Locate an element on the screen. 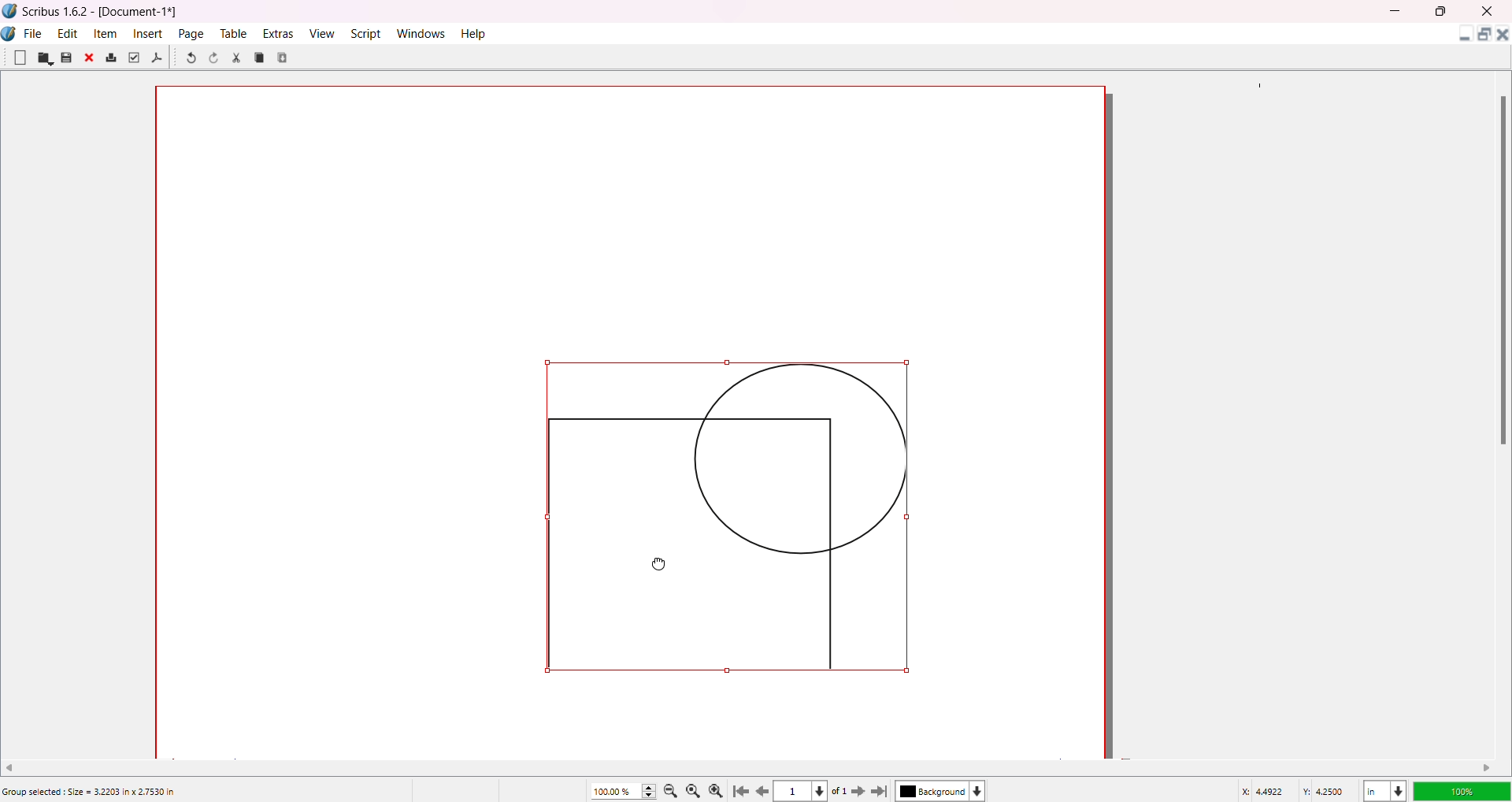  Insert is located at coordinates (150, 33).